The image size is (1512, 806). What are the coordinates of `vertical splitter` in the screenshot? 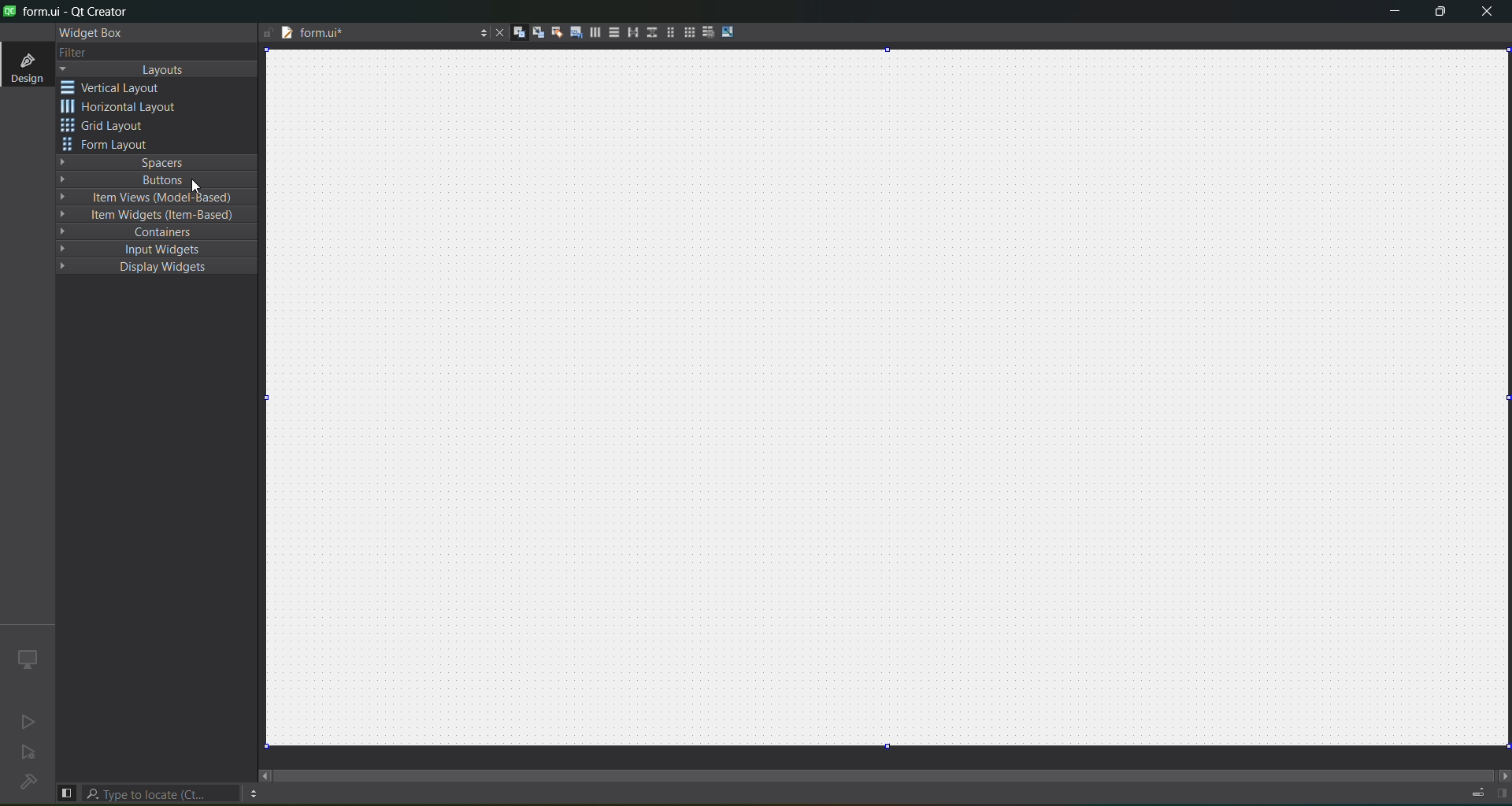 It's located at (650, 31).